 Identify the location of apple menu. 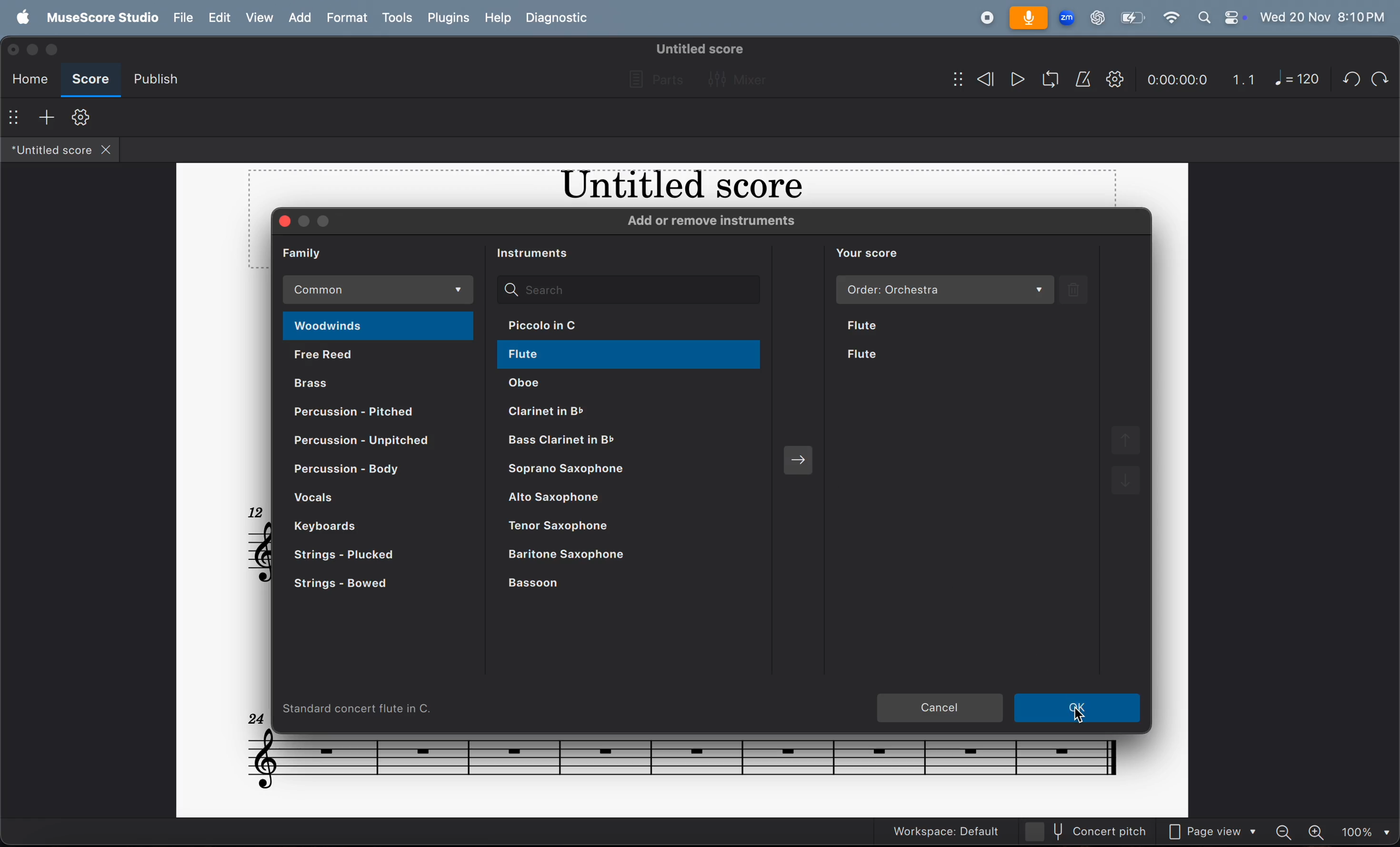
(23, 17).